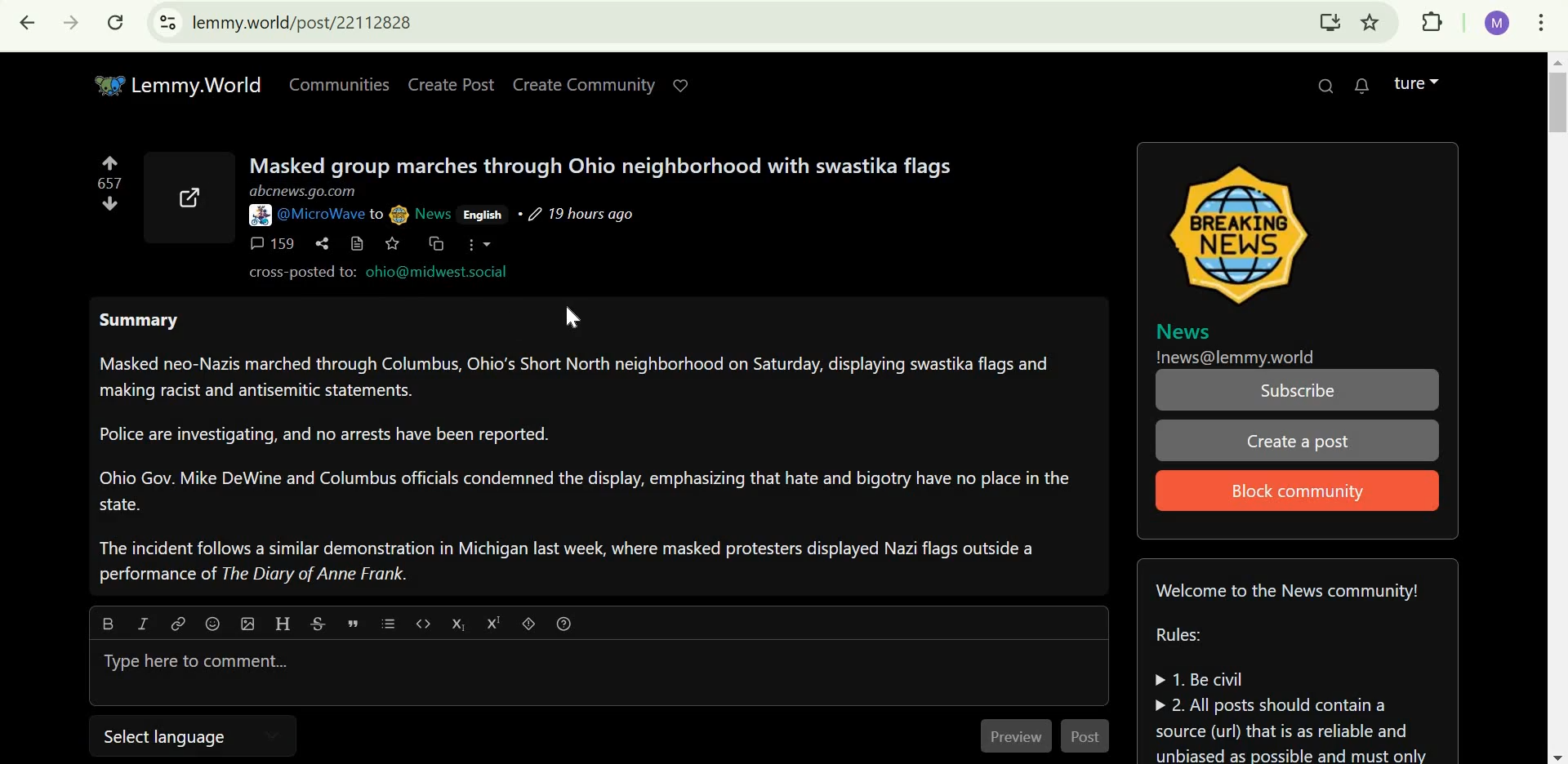 Image resolution: width=1568 pixels, height=764 pixels. I want to click on Click to go forward, hold to see history, so click(76, 24).